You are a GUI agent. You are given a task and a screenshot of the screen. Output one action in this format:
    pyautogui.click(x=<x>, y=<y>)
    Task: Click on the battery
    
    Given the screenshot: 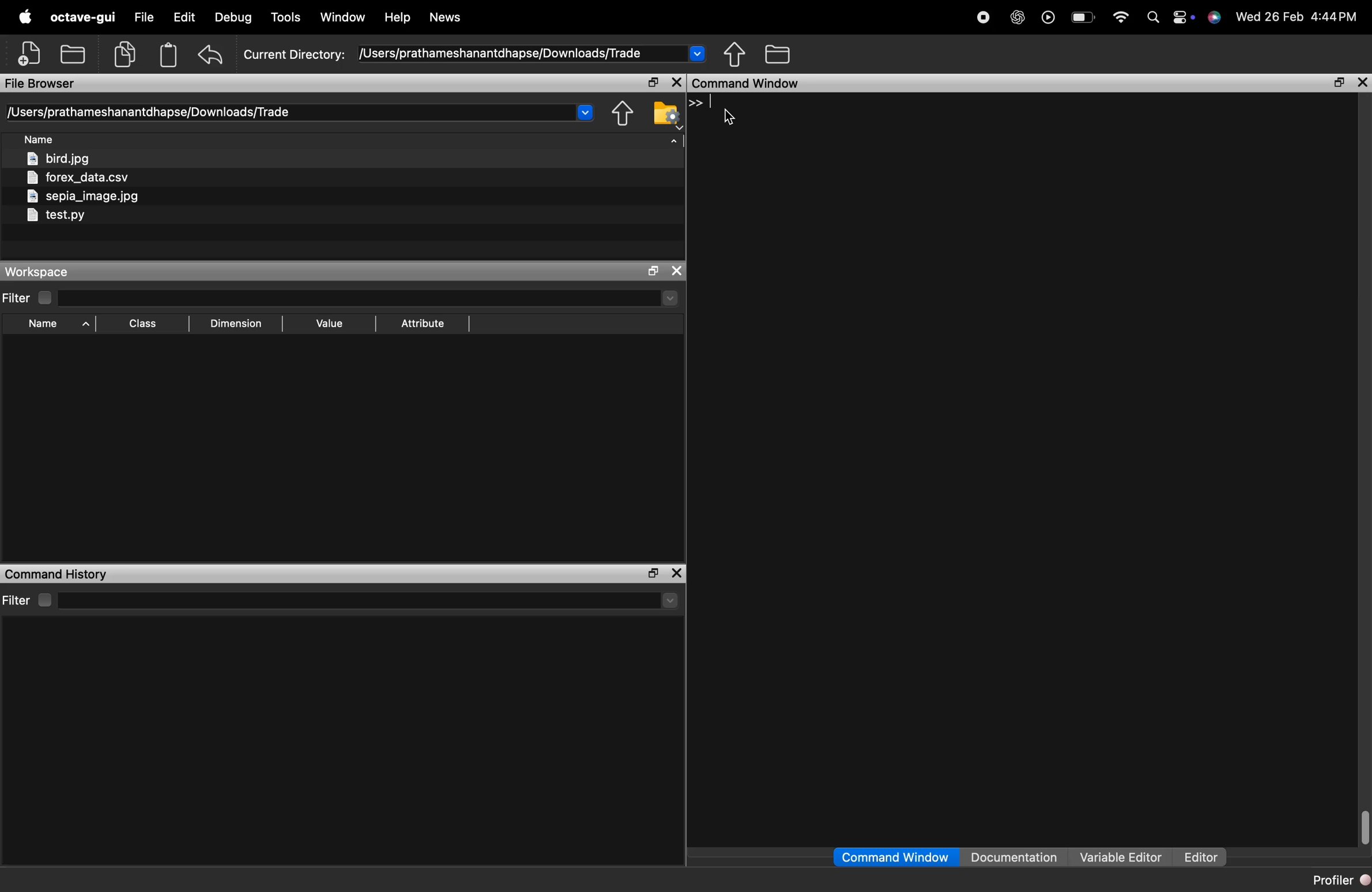 What is the action you would take?
    pyautogui.click(x=1086, y=18)
    